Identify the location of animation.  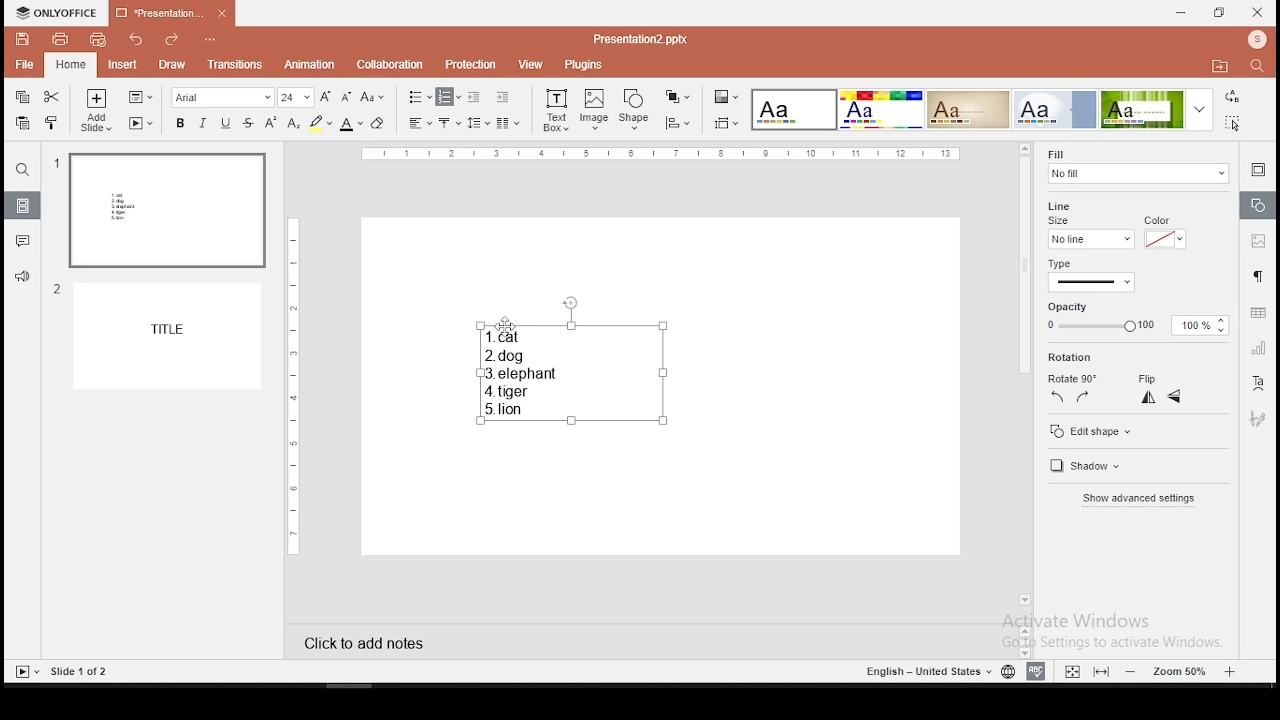
(311, 65).